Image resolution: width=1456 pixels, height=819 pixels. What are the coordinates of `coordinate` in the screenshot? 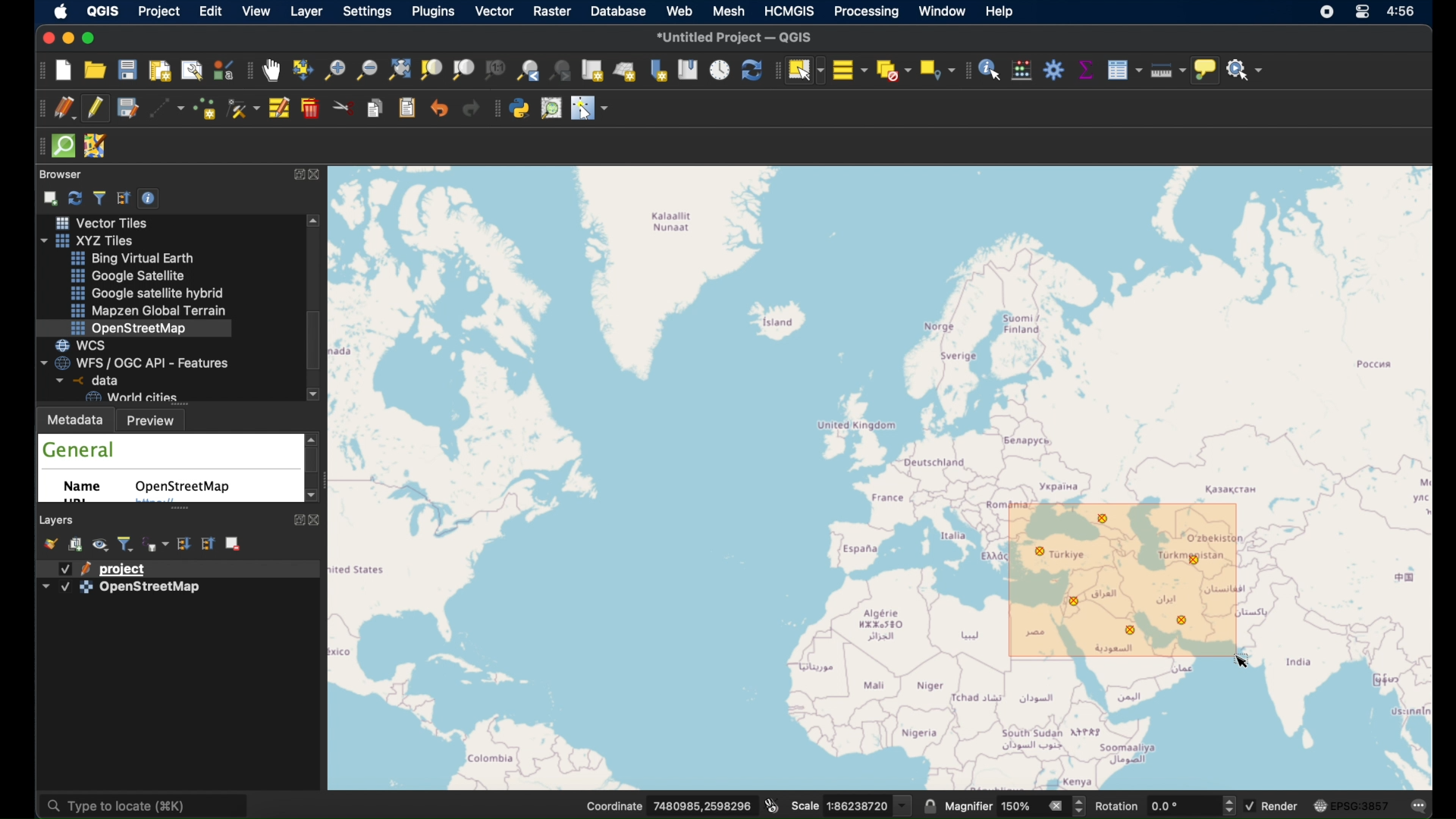 It's located at (697, 805).